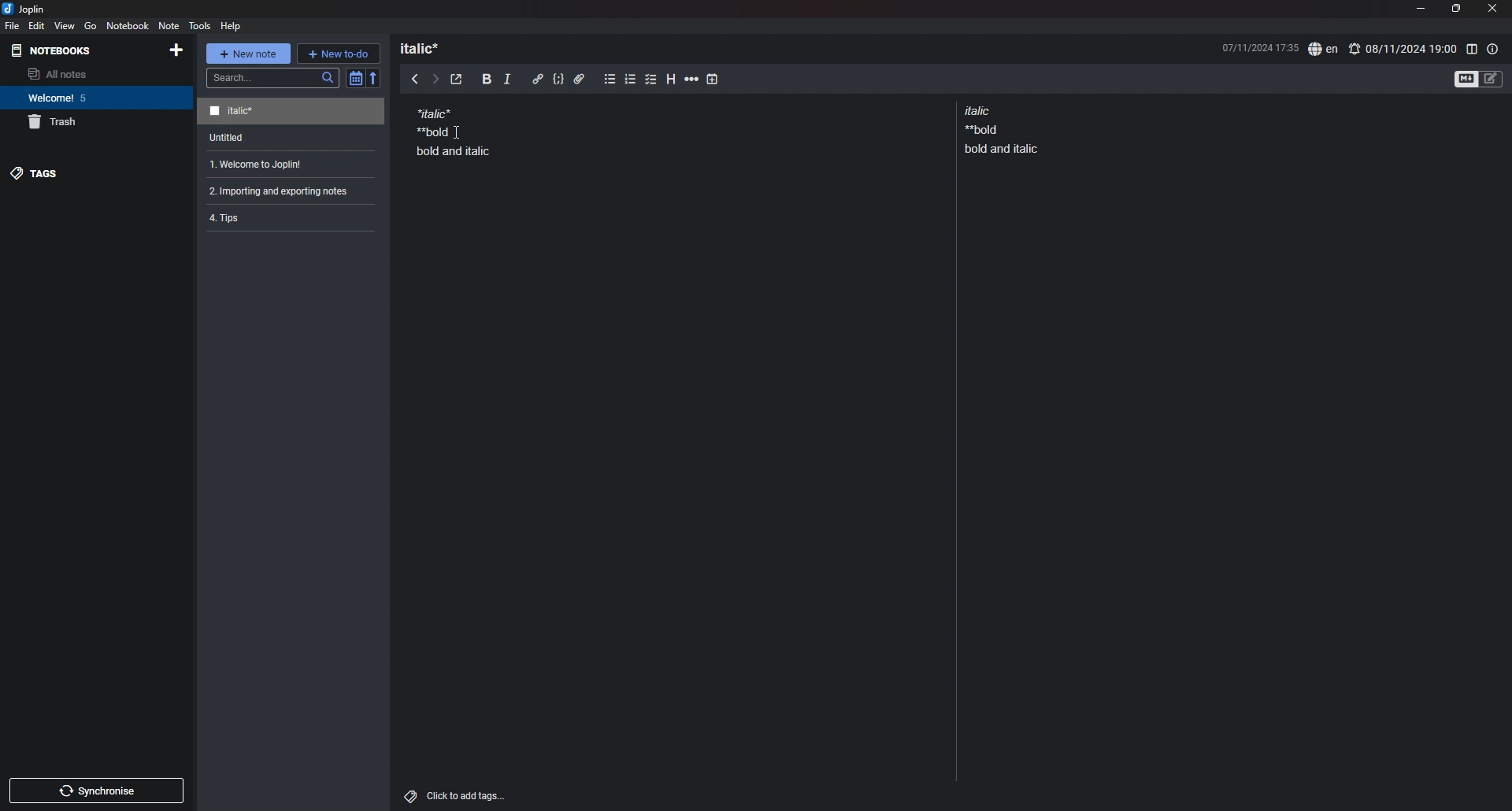 This screenshot has width=1512, height=811. I want to click on sync, so click(98, 791).